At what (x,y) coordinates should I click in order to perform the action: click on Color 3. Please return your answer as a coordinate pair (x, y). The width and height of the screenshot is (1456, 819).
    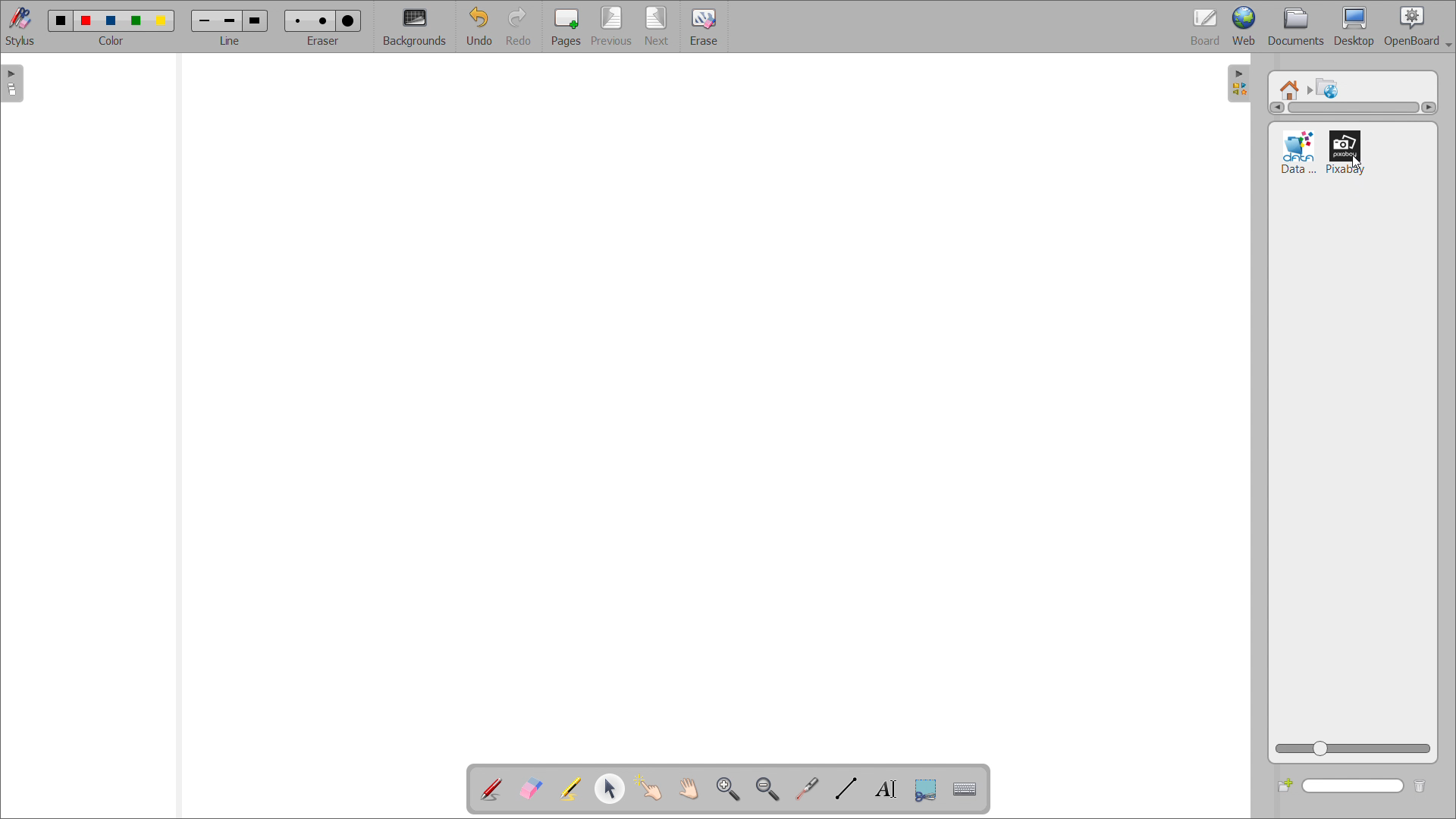
    Looking at the image, I should click on (110, 20).